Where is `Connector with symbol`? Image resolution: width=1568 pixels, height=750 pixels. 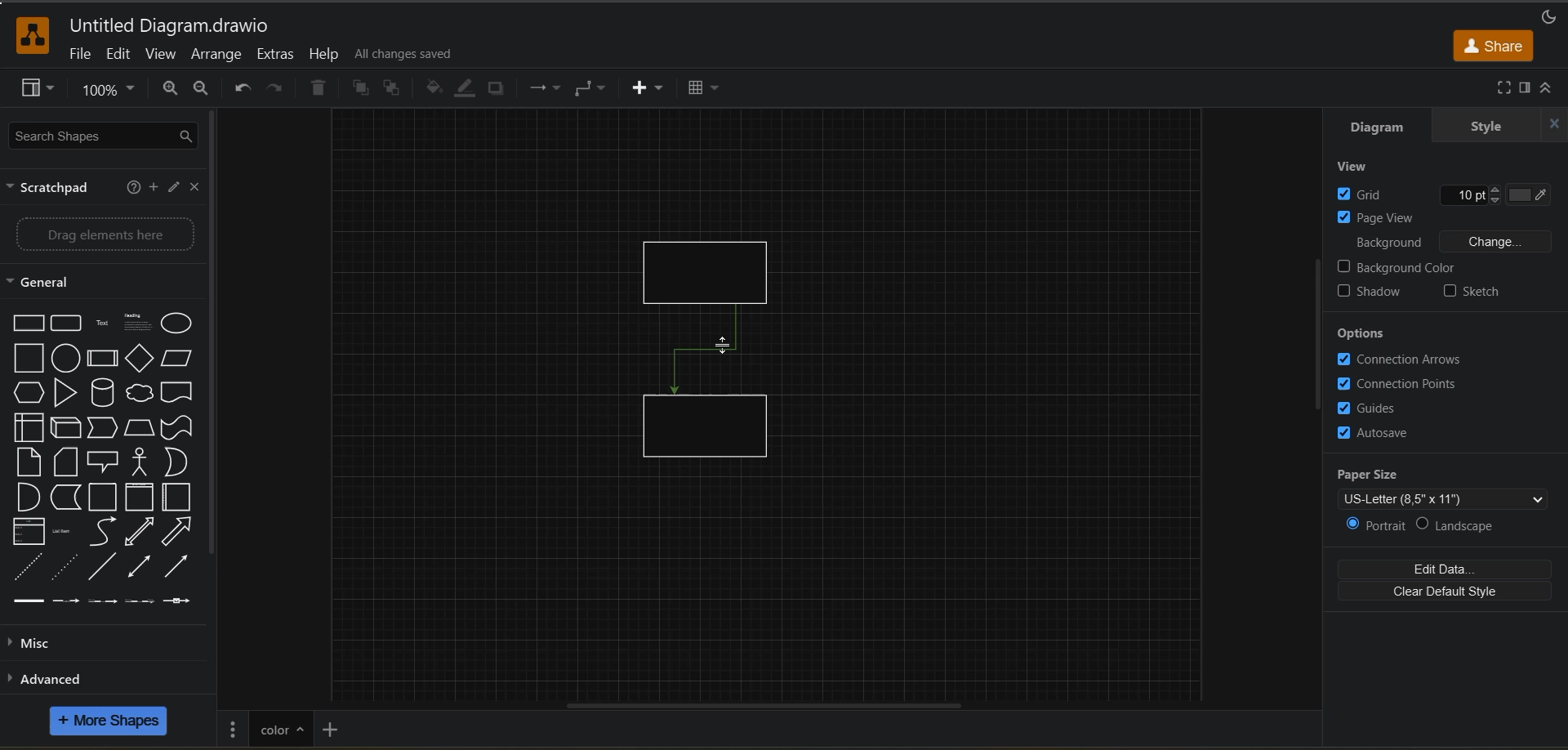
Connector with symbol is located at coordinates (187, 601).